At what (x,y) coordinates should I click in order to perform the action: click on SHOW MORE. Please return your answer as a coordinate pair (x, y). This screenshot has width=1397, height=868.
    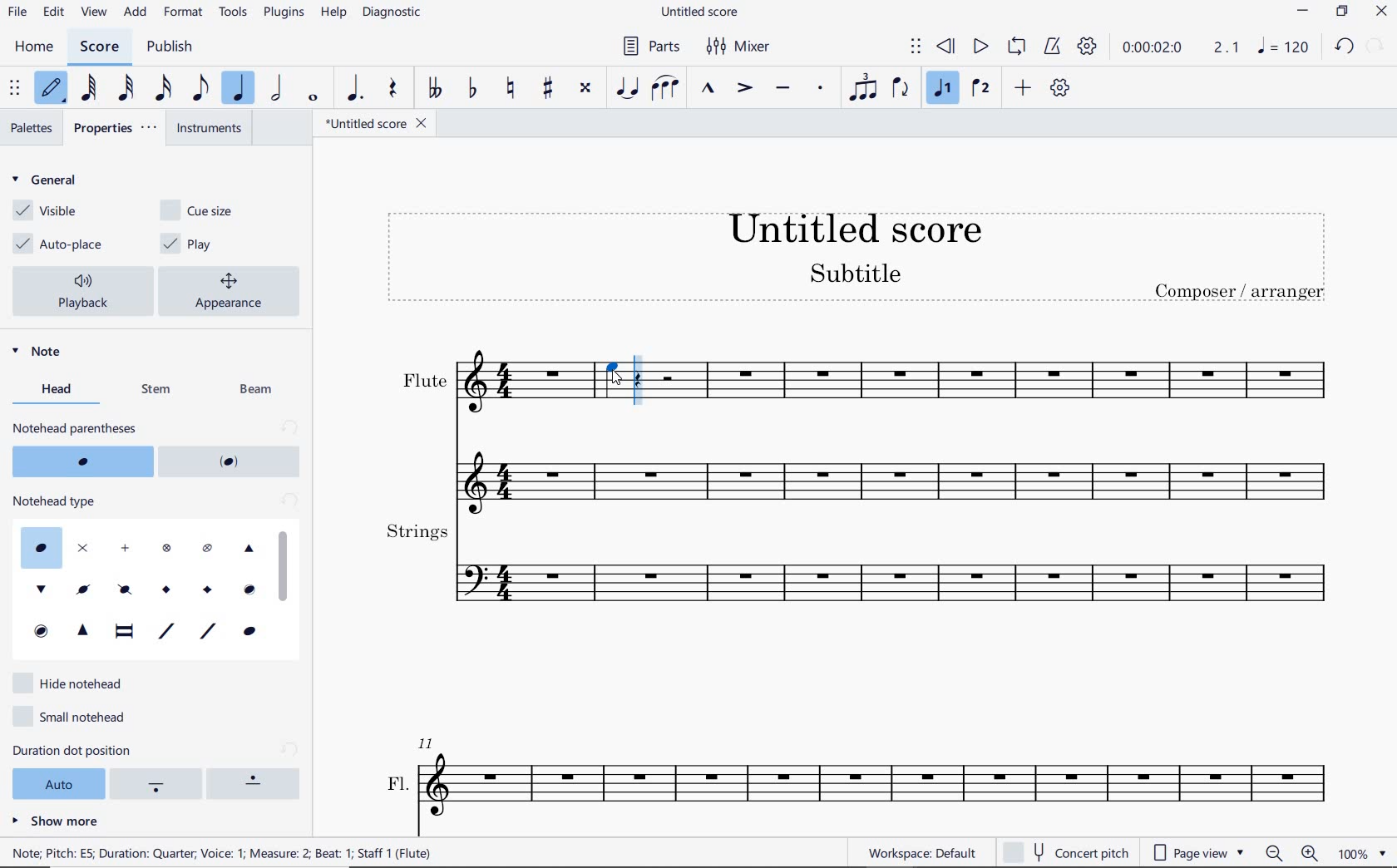
    Looking at the image, I should click on (55, 821).